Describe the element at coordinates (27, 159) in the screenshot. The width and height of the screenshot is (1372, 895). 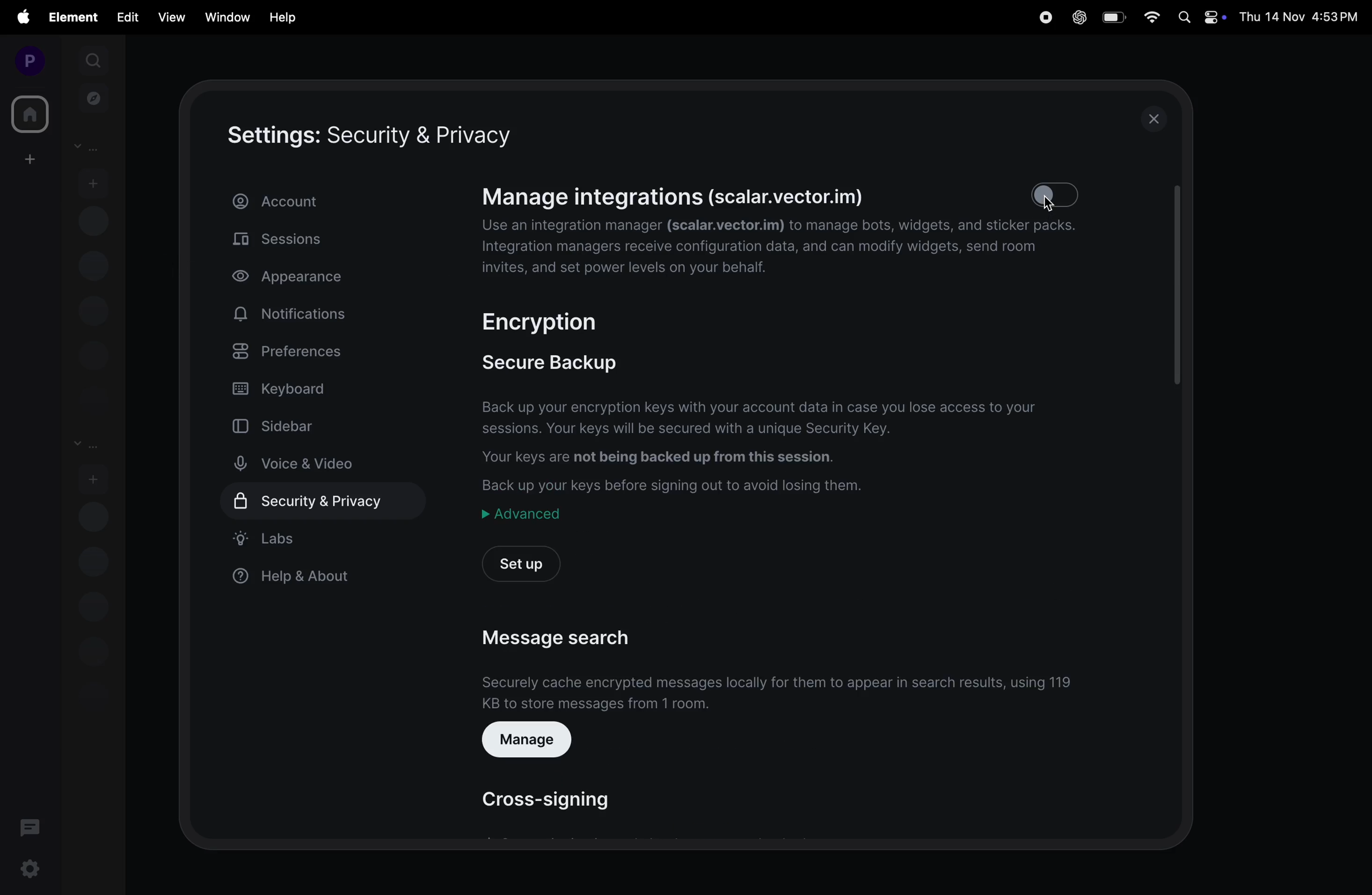
I see `create workspace` at that location.